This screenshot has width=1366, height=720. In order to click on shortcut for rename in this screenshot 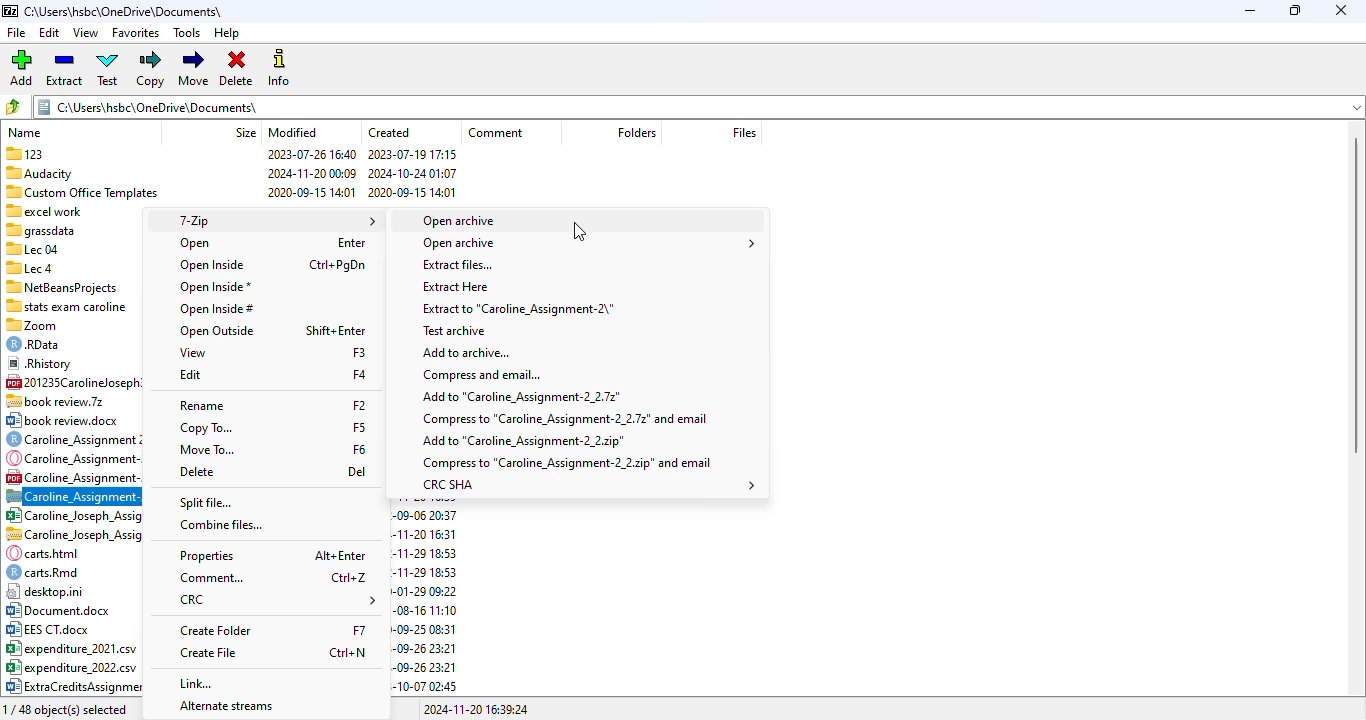, I will do `click(359, 404)`.